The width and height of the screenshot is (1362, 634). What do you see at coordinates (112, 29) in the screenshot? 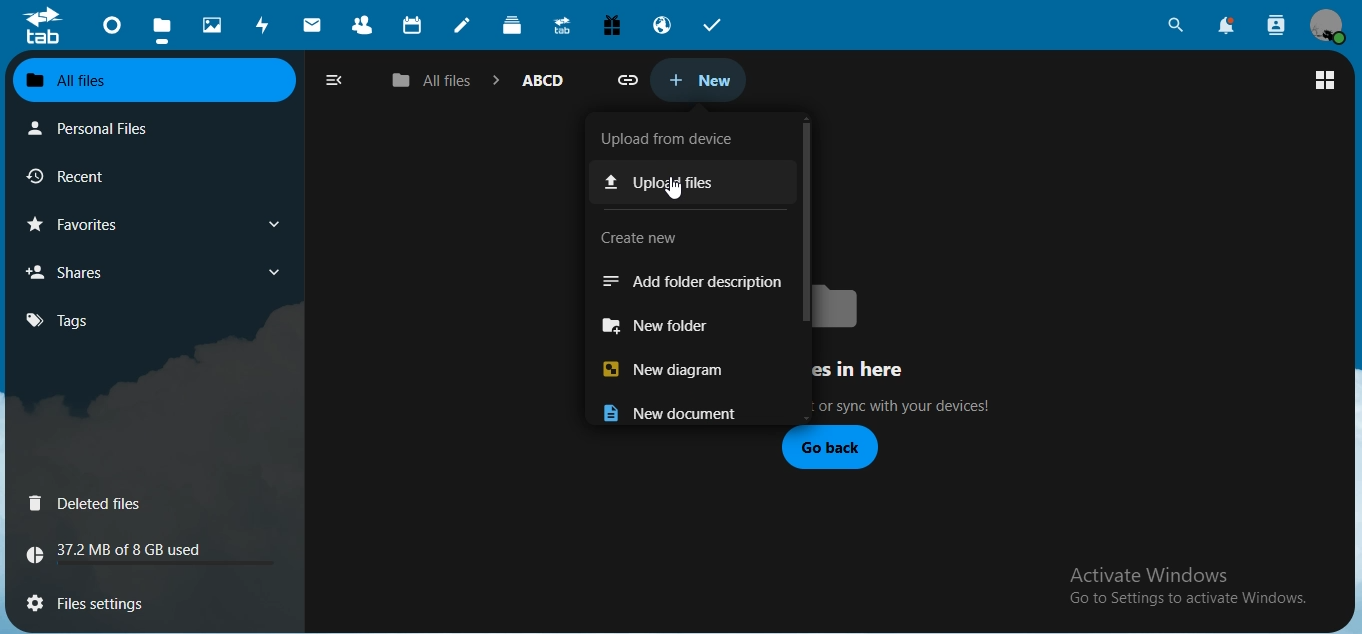
I see `dashboard` at bounding box center [112, 29].